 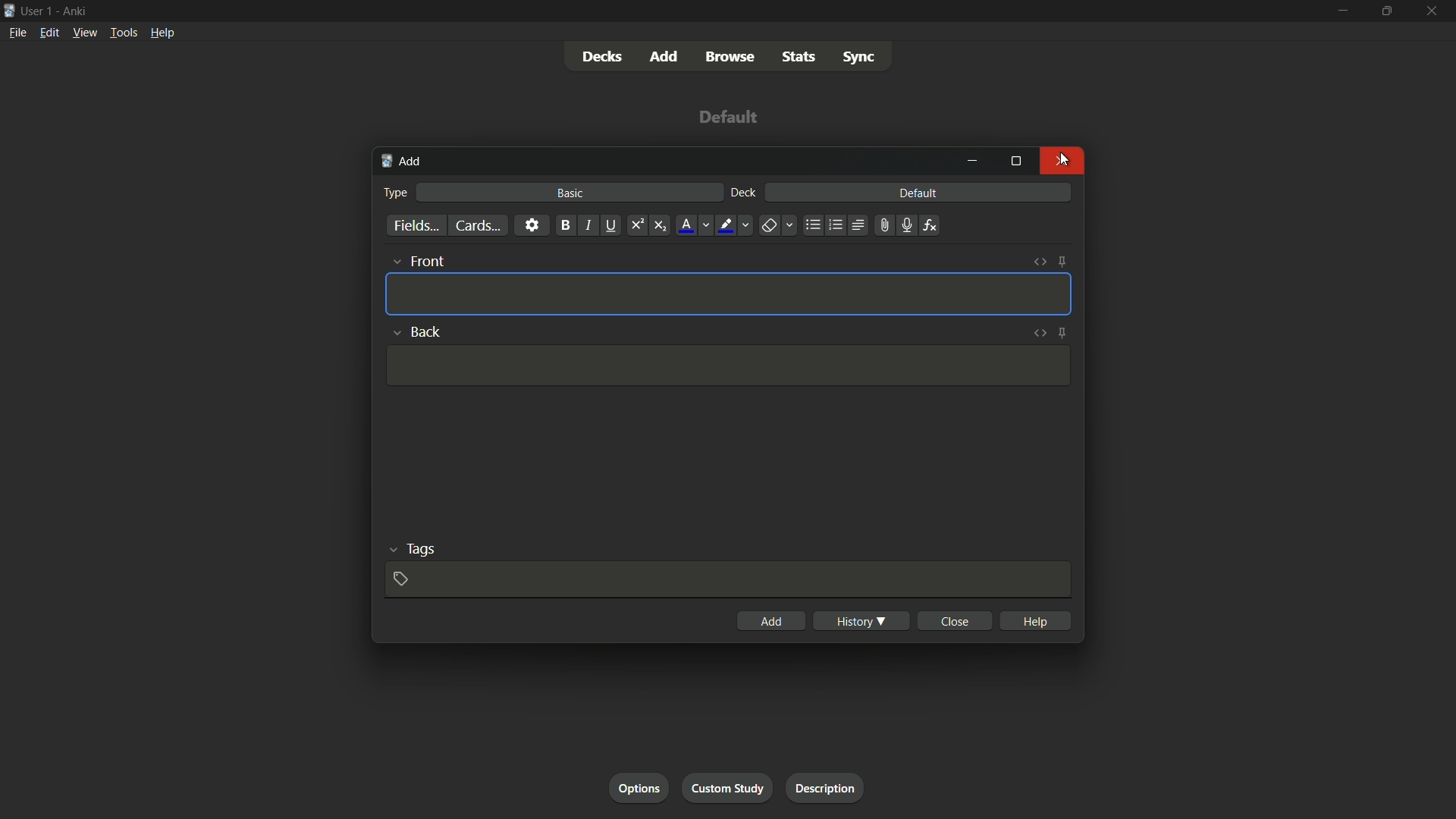 I want to click on toggle sticky, so click(x=1065, y=332).